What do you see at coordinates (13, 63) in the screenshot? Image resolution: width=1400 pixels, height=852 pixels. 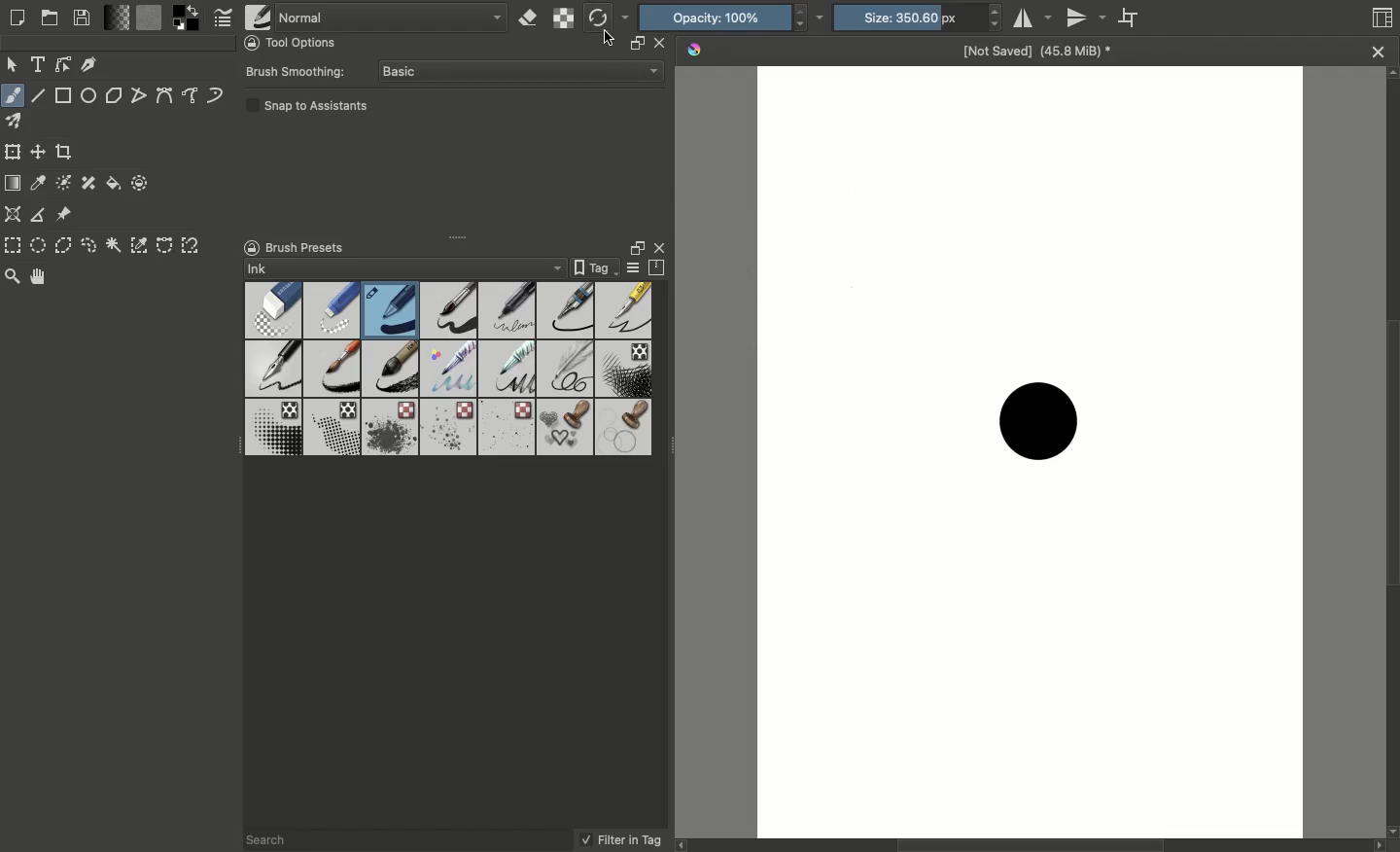 I see `Move` at bounding box center [13, 63].